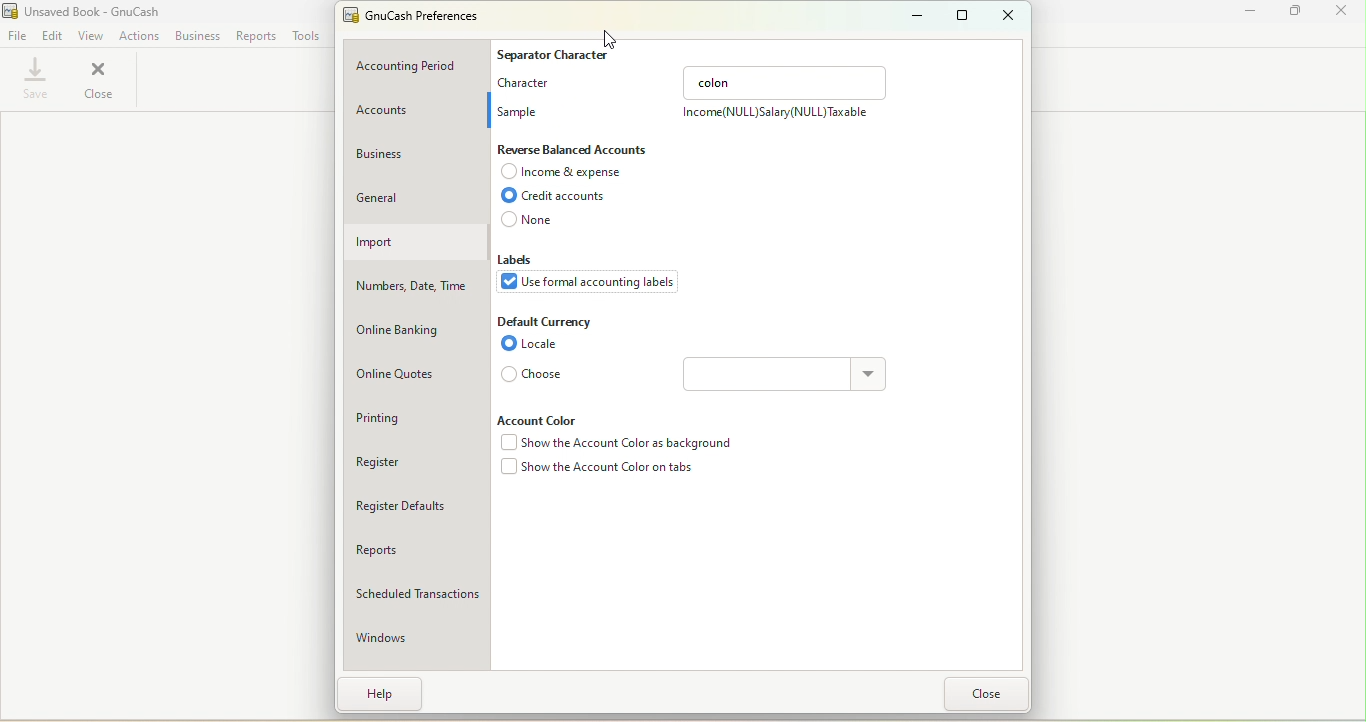 Image resolution: width=1366 pixels, height=722 pixels. What do you see at coordinates (786, 82) in the screenshot?
I see `Text box` at bounding box center [786, 82].